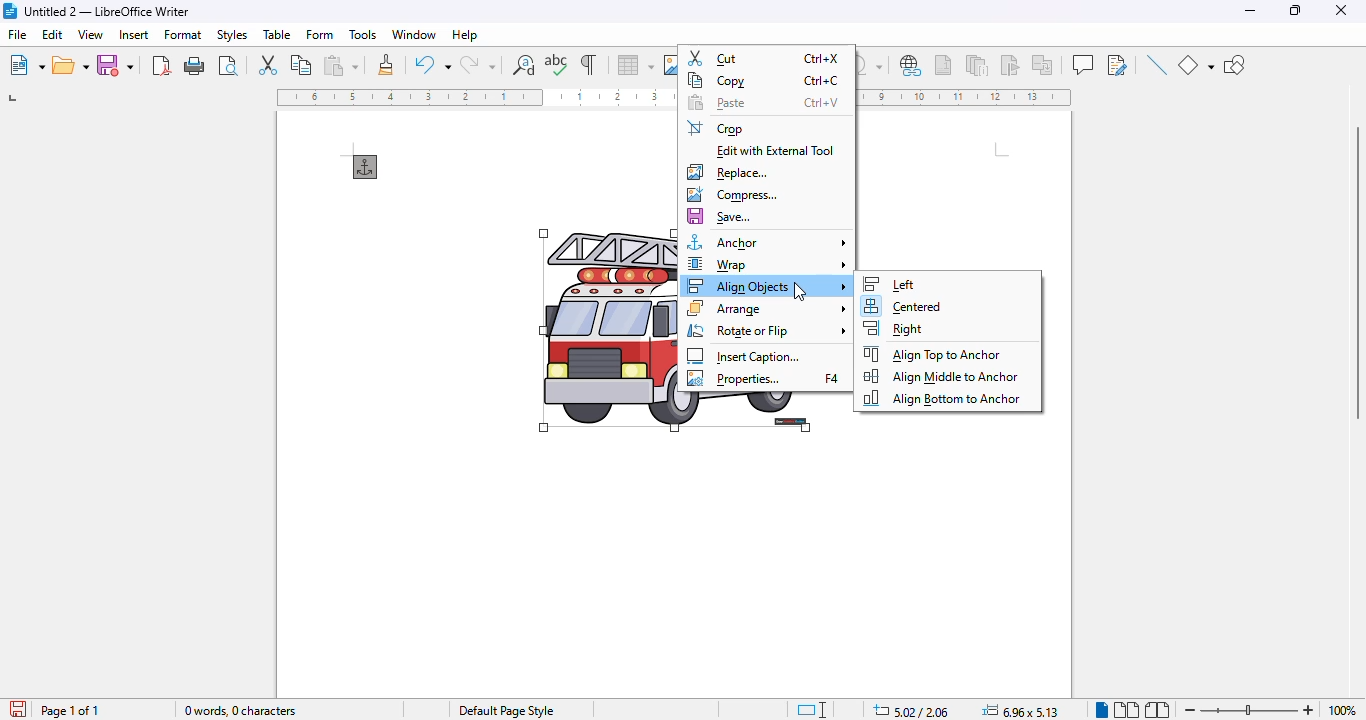 This screenshot has width=1366, height=720. I want to click on multi-page view, so click(1127, 710).